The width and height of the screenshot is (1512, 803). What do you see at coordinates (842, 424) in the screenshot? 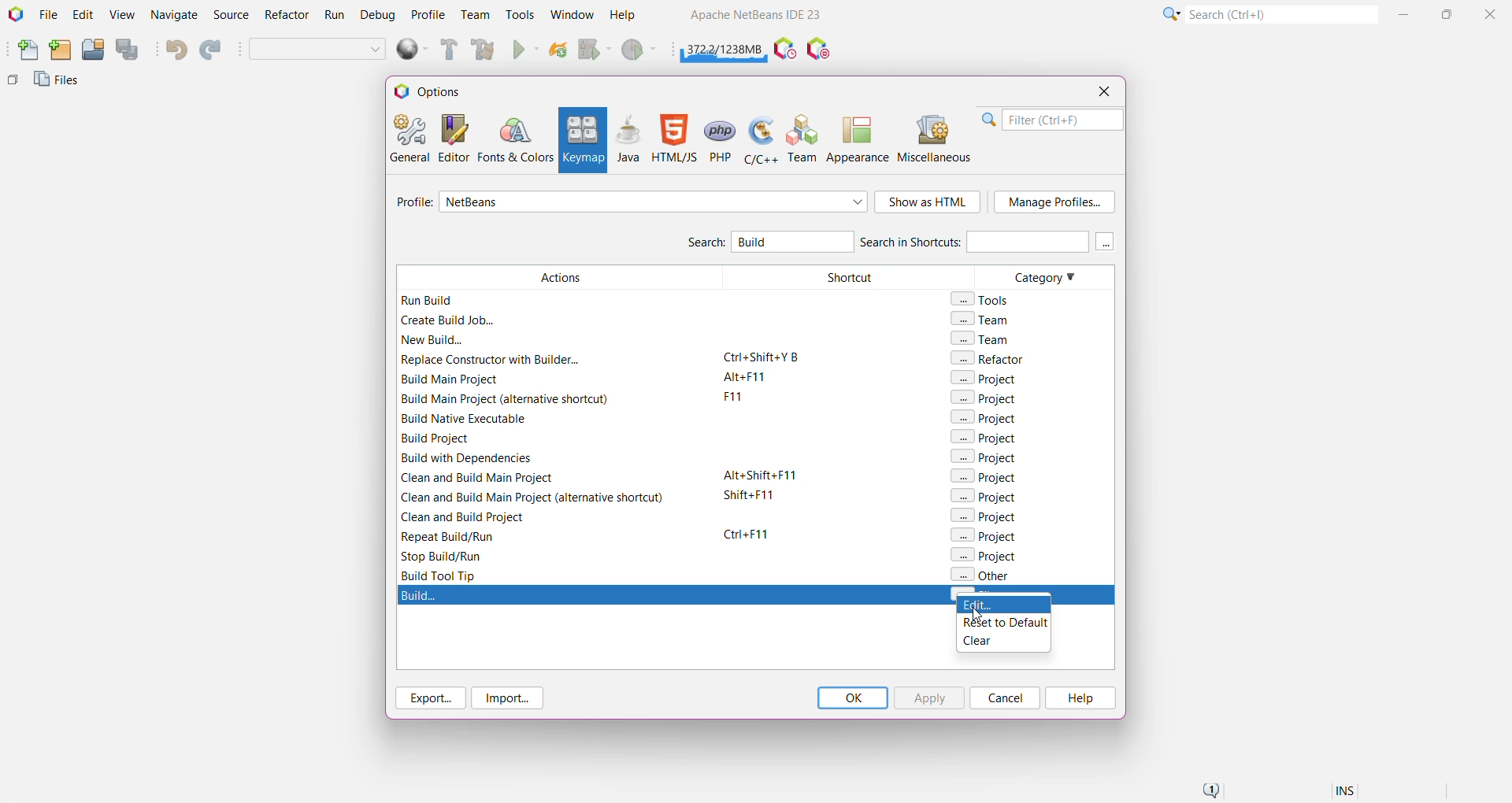
I see `Shortcut` at bounding box center [842, 424].